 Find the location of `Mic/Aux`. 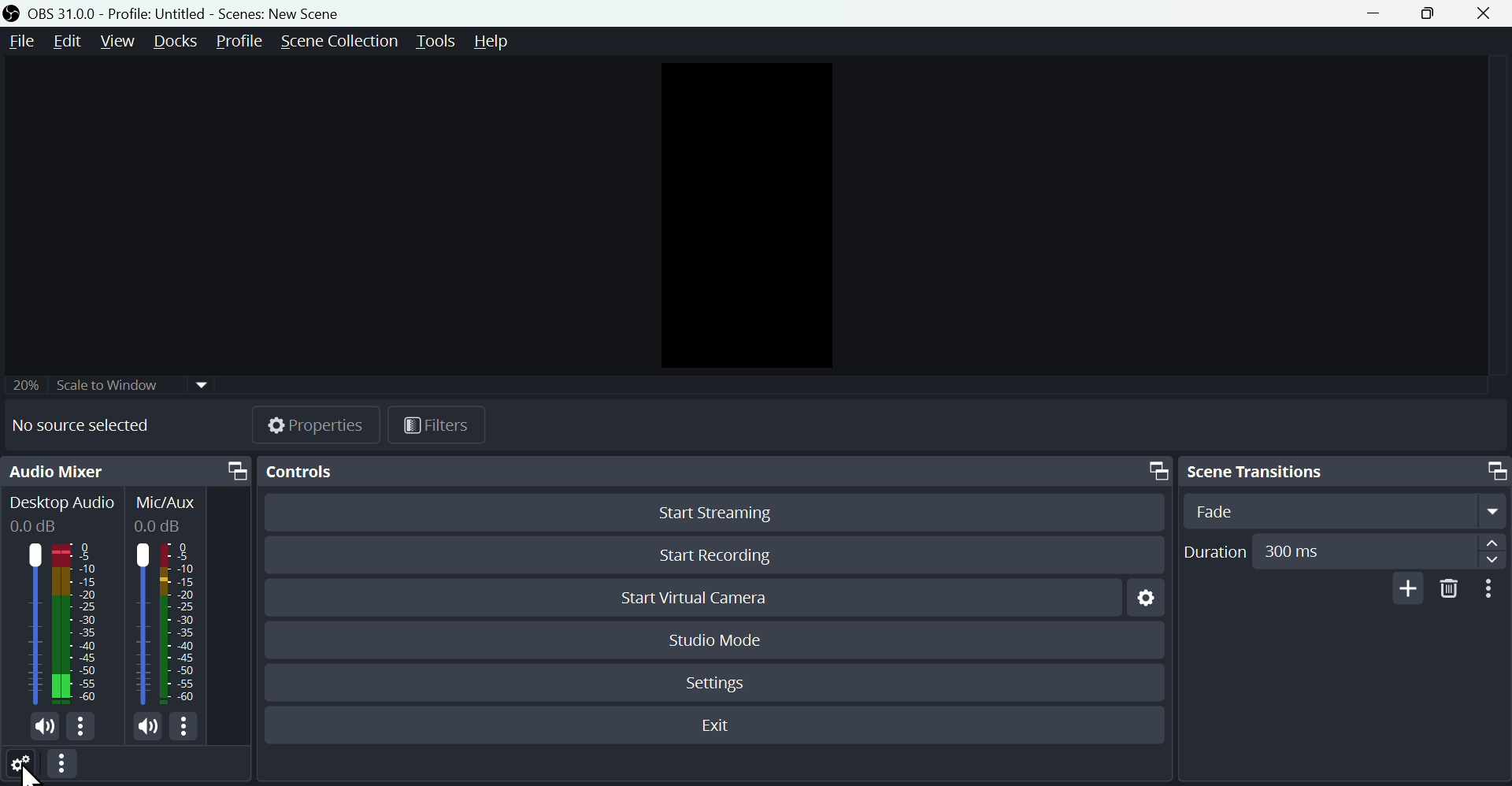

Mic/Aux is located at coordinates (180, 627).